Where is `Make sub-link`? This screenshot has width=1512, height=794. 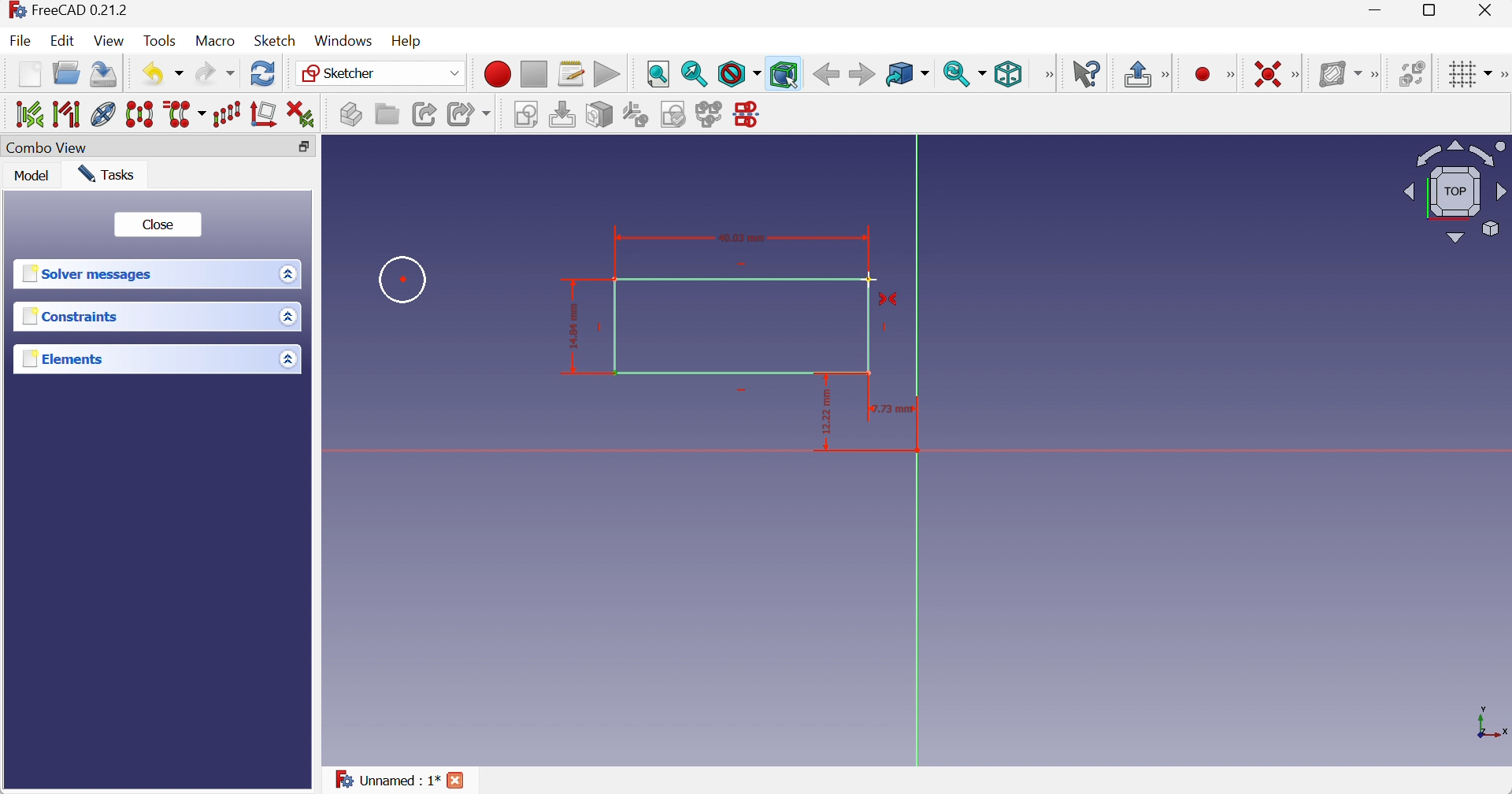 Make sub-link is located at coordinates (470, 114).